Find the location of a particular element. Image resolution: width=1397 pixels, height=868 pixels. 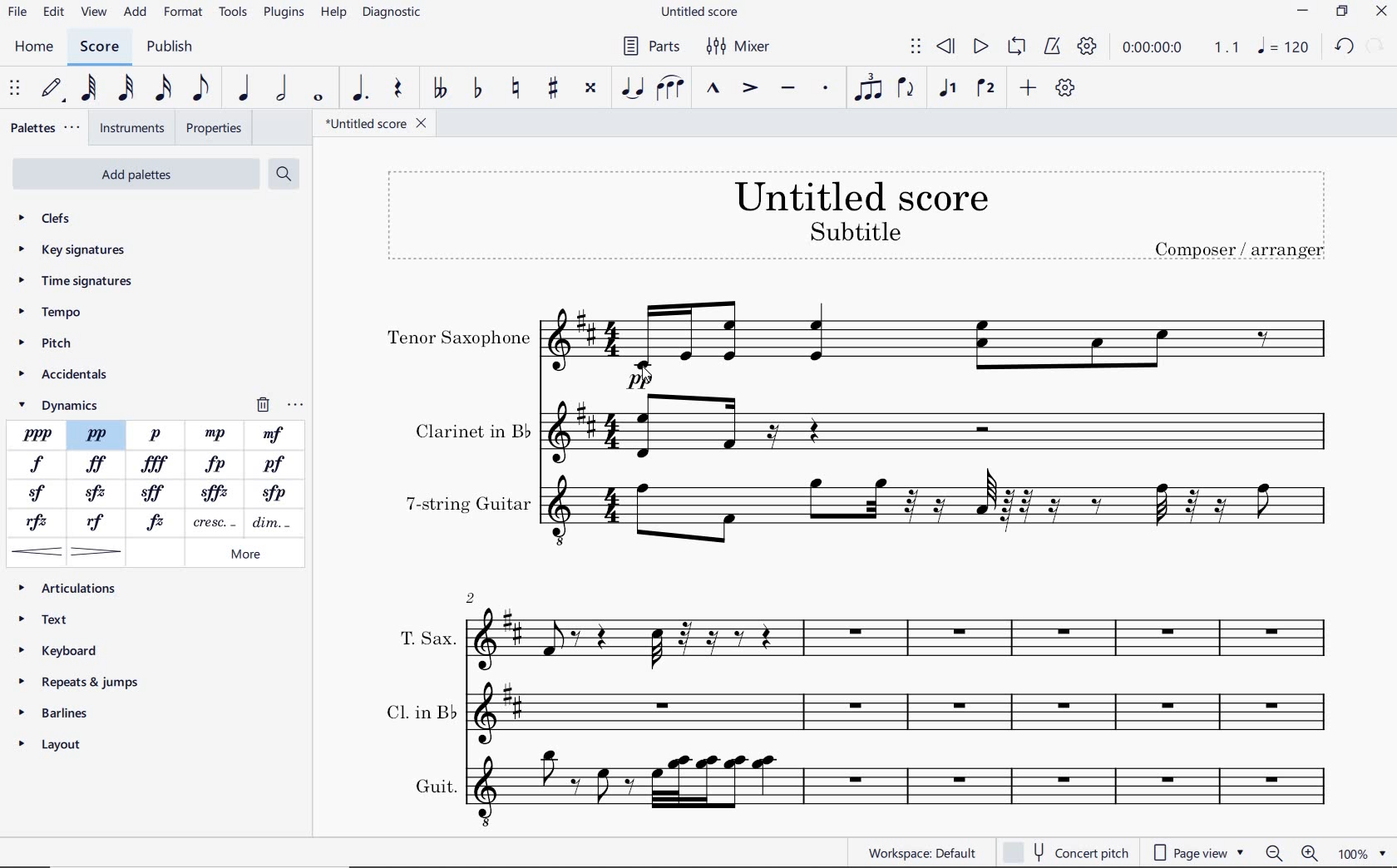

TEXT is located at coordinates (47, 620).